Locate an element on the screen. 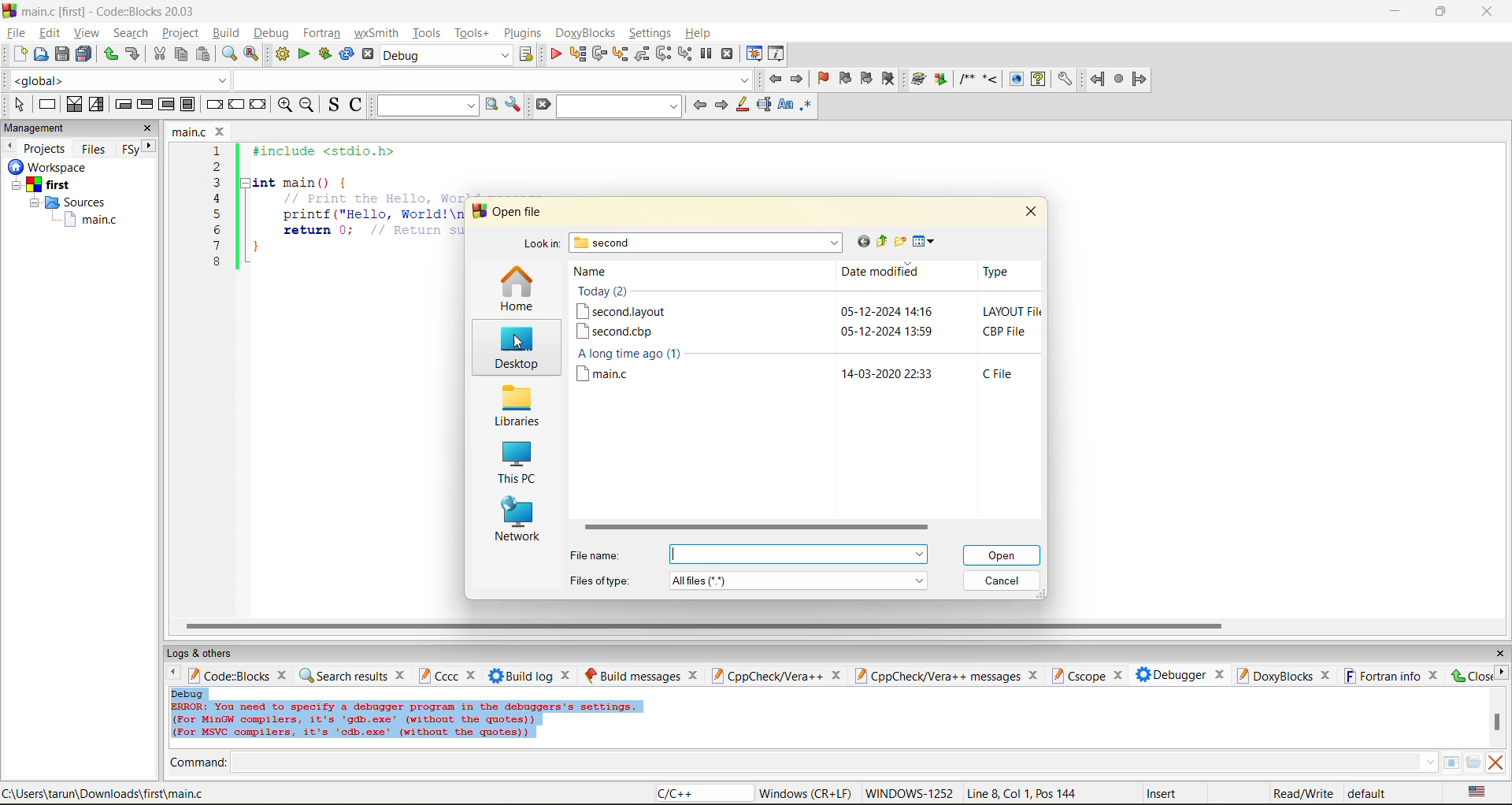  date is located at coordinates (871, 331).